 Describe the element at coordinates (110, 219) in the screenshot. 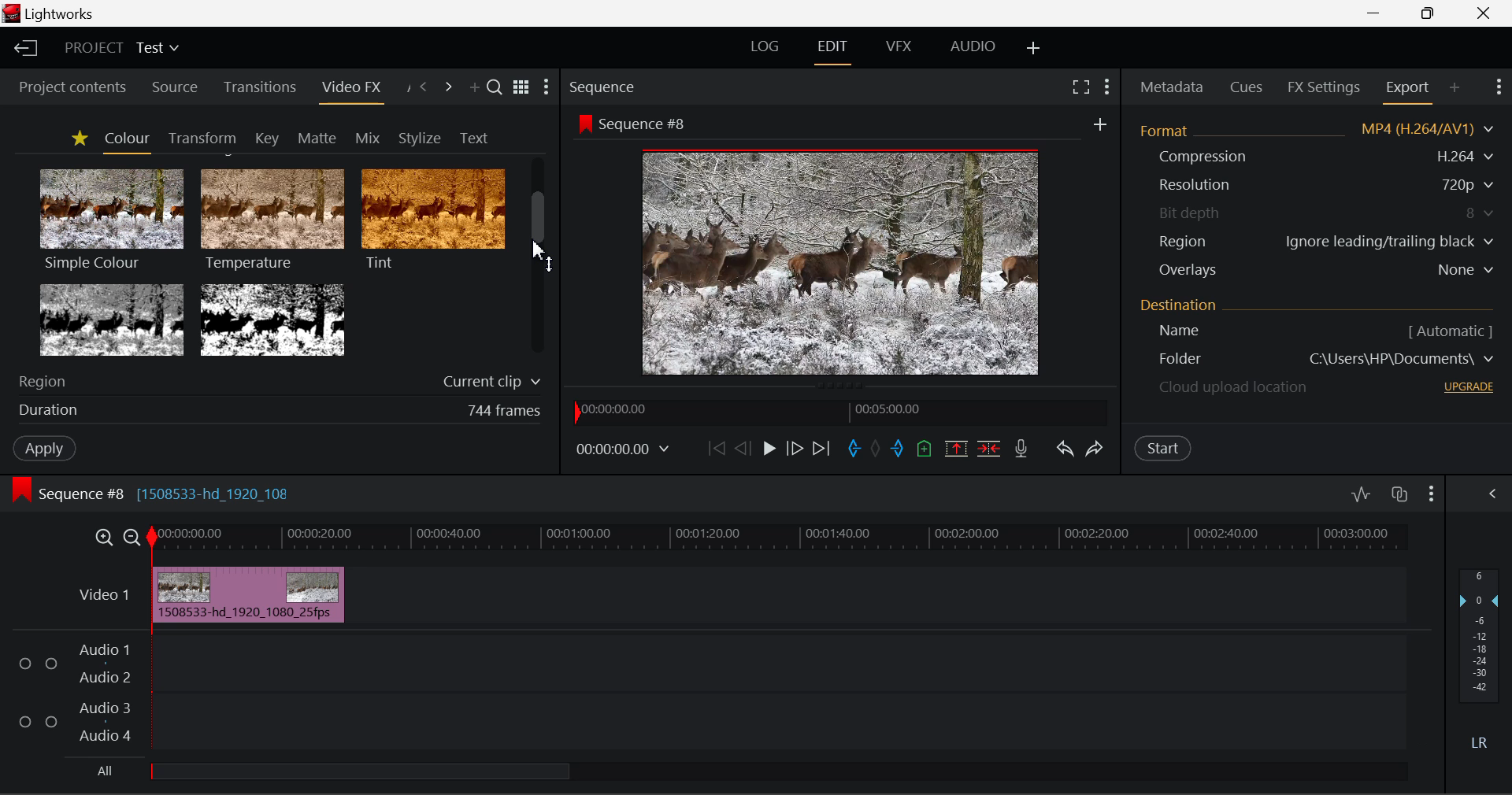

I see `Simple Colour` at that location.